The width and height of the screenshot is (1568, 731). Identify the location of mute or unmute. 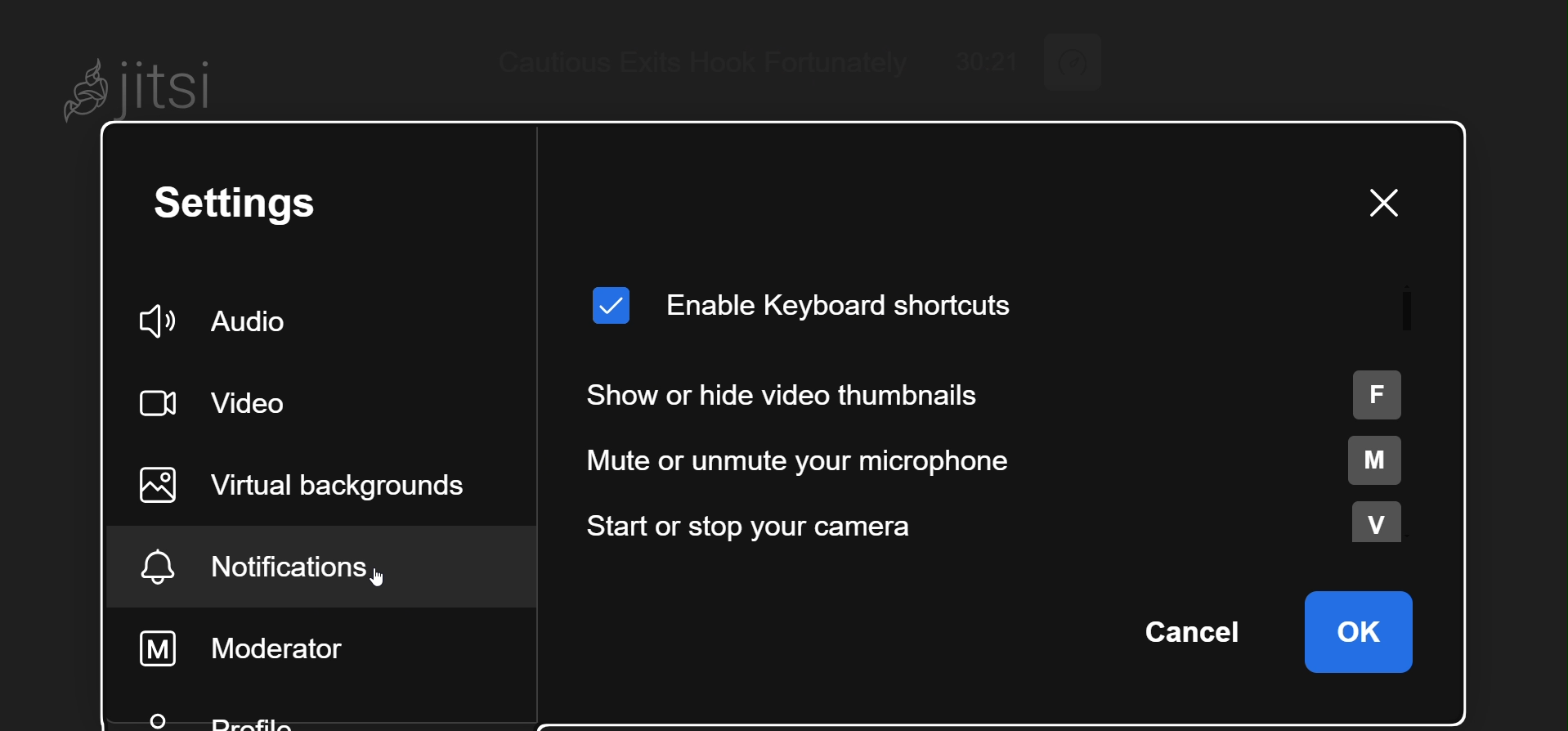
(1010, 460).